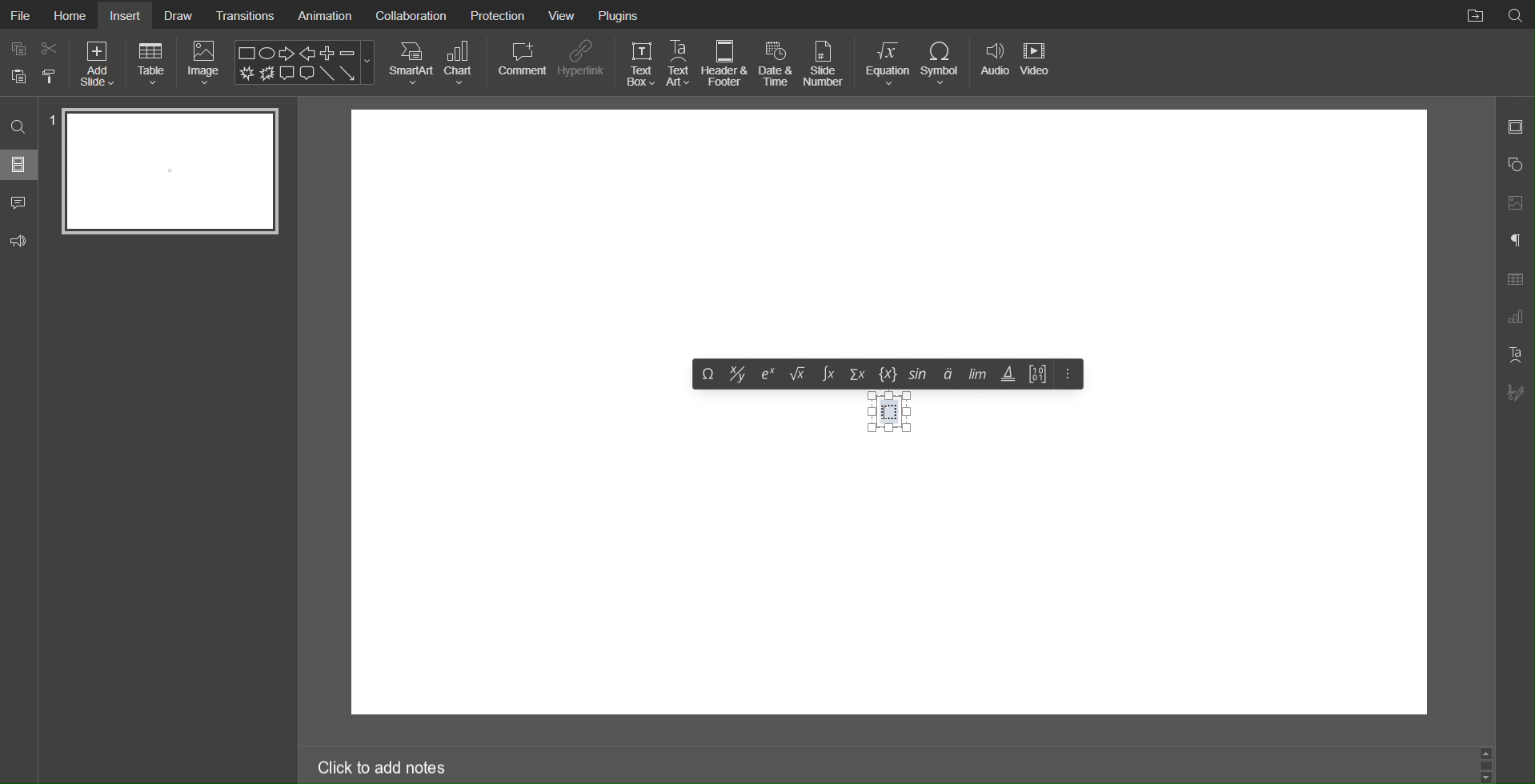  What do you see at coordinates (202, 64) in the screenshot?
I see `Image` at bounding box center [202, 64].